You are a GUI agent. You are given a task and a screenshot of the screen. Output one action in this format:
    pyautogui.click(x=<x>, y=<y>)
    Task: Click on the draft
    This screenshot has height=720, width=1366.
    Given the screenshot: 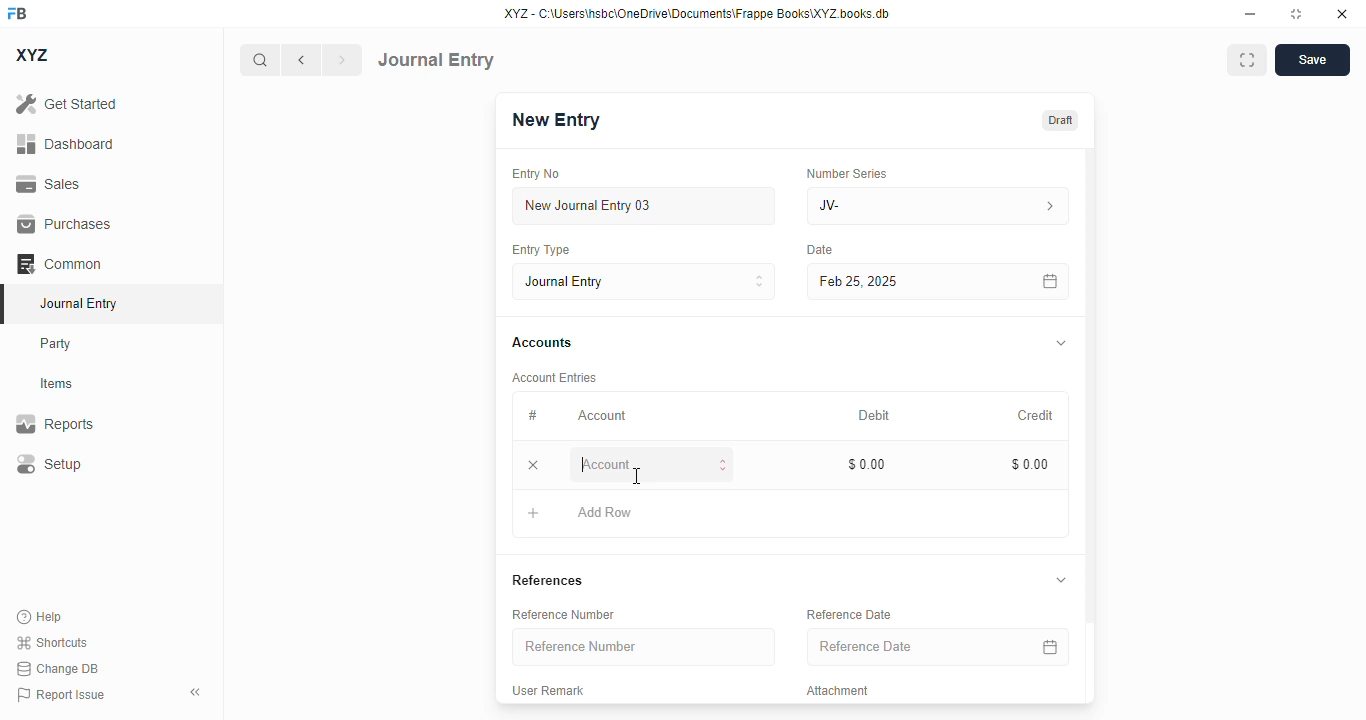 What is the action you would take?
    pyautogui.click(x=1061, y=121)
    